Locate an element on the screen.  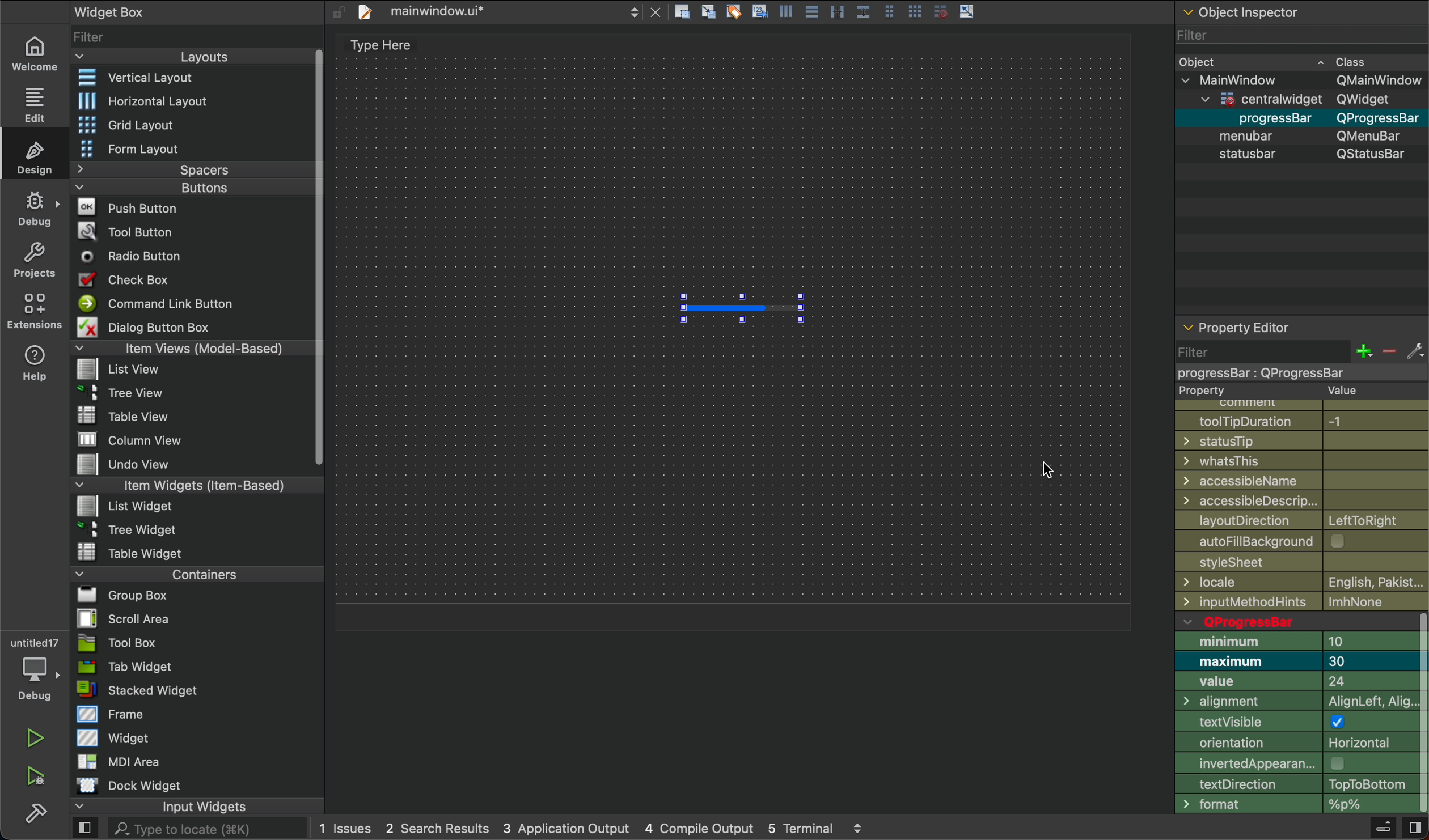
appereance is located at coordinates (1293, 763).